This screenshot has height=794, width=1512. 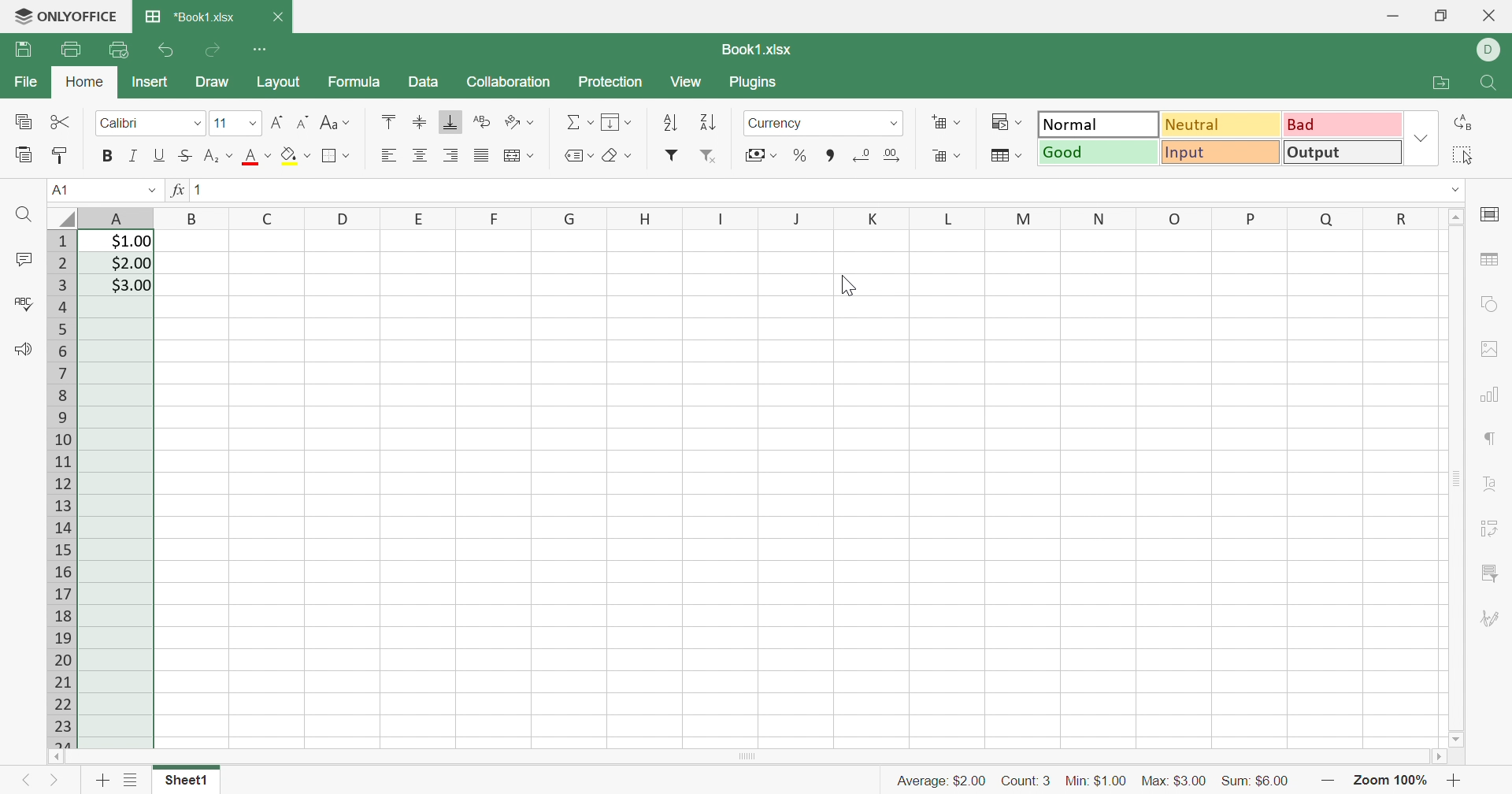 What do you see at coordinates (131, 264) in the screenshot?
I see `$2.00` at bounding box center [131, 264].